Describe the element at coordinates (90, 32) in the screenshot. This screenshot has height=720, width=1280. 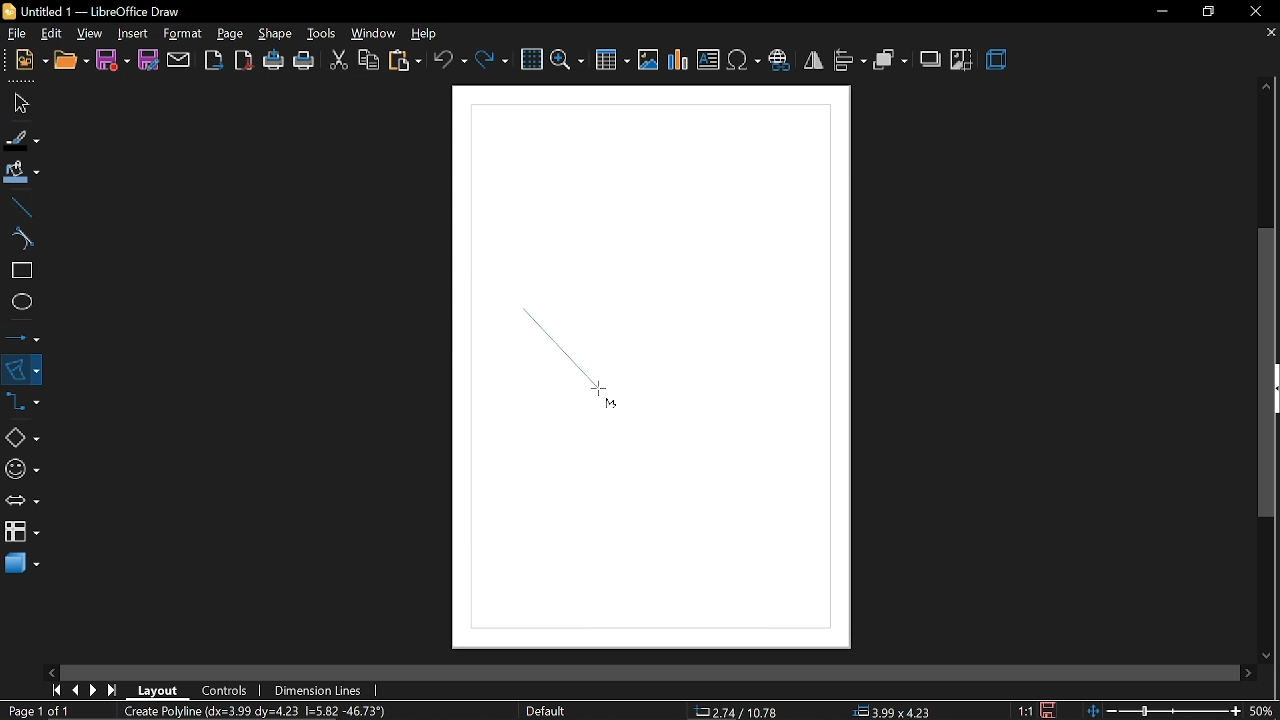
I see `view` at that location.